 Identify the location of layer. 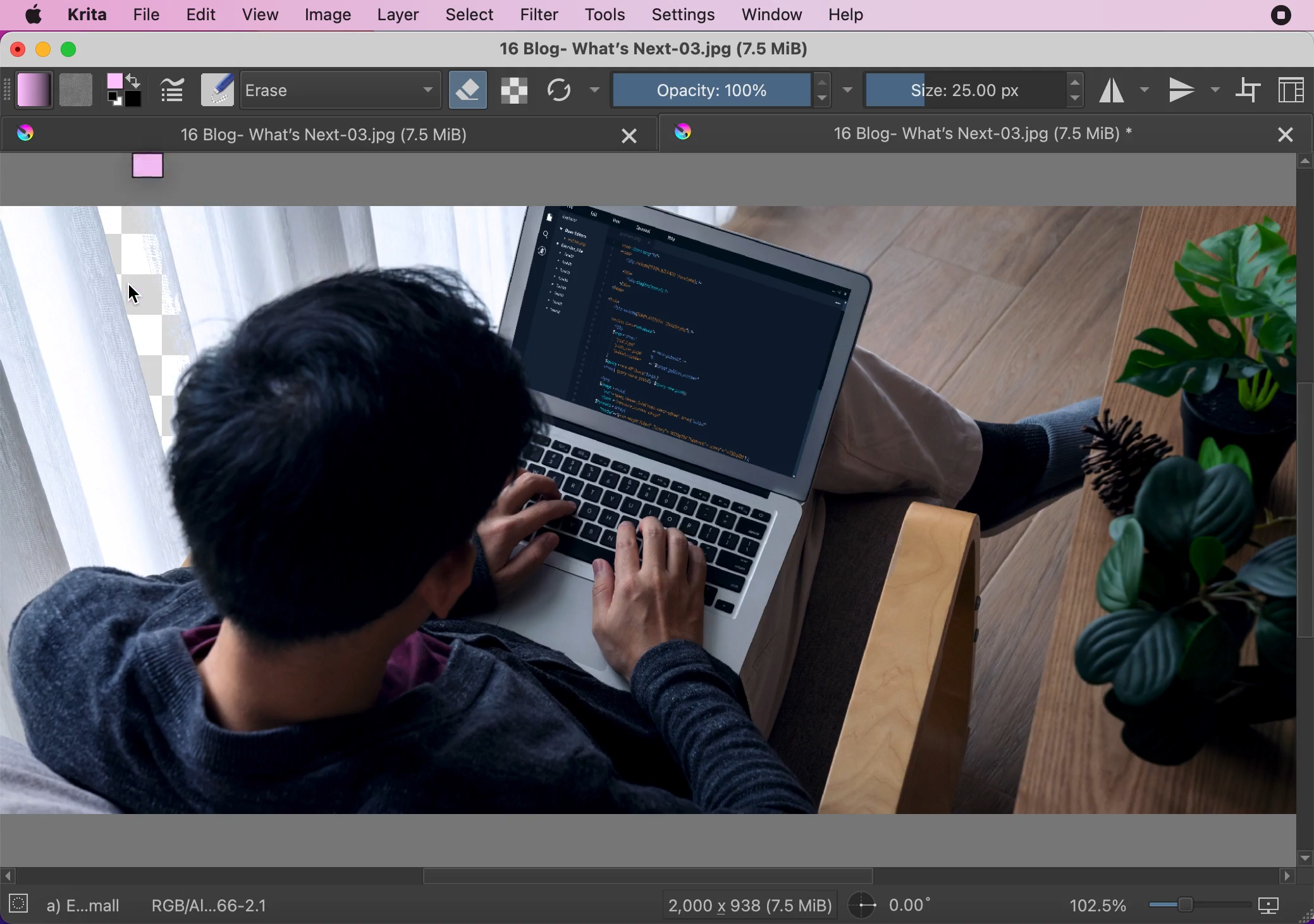
(400, 16).